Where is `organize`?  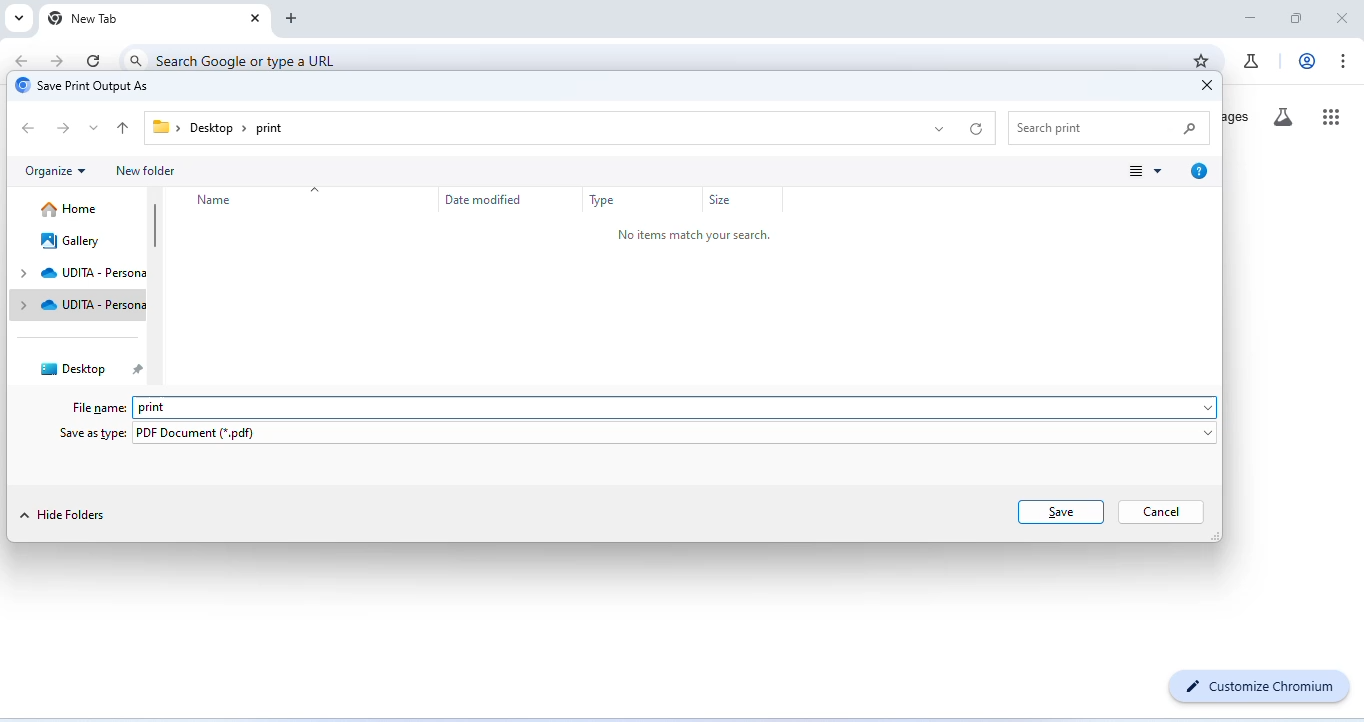
organize is located at coordinates (61, 172).